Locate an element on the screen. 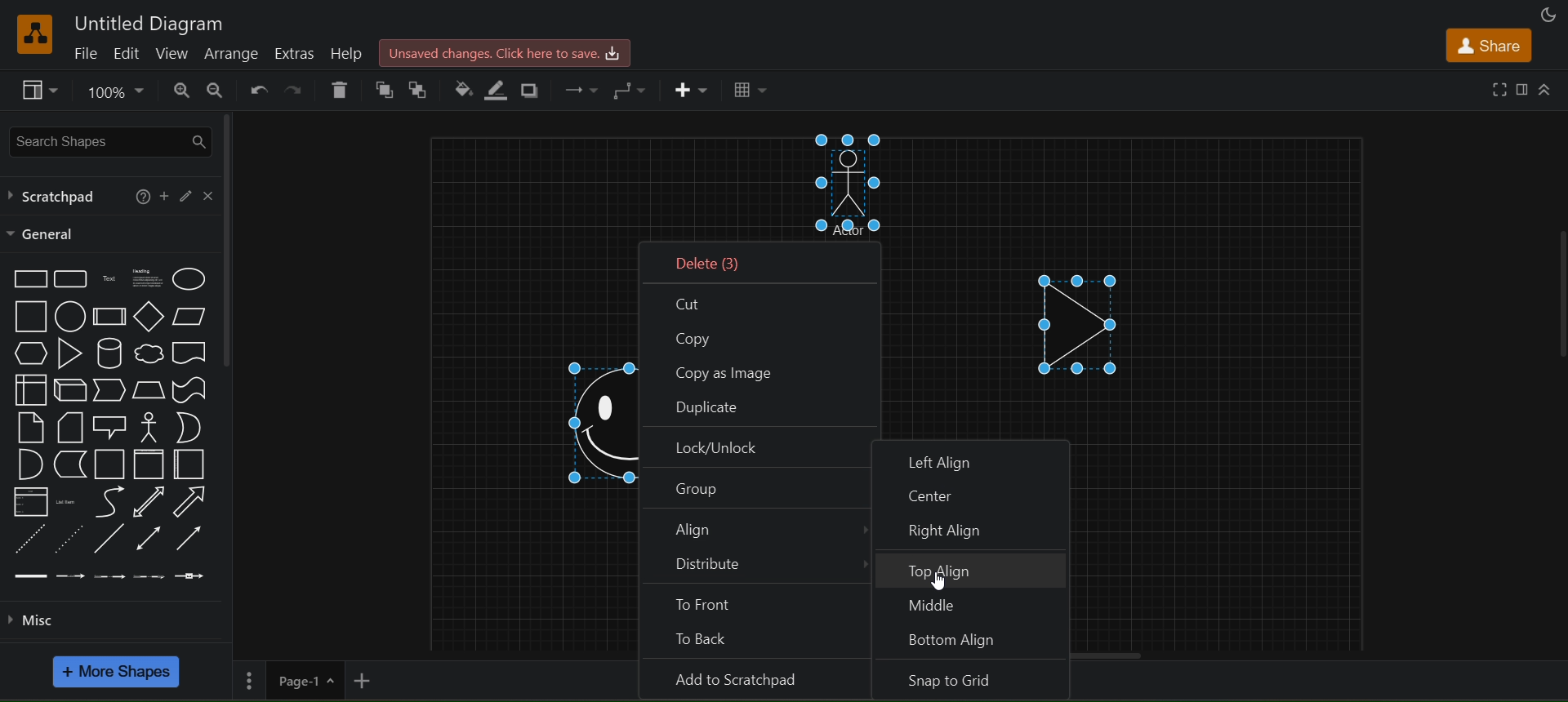 The height and width of the screenshot is (702, 1568). zoom in is located at coordinates (179, 91).